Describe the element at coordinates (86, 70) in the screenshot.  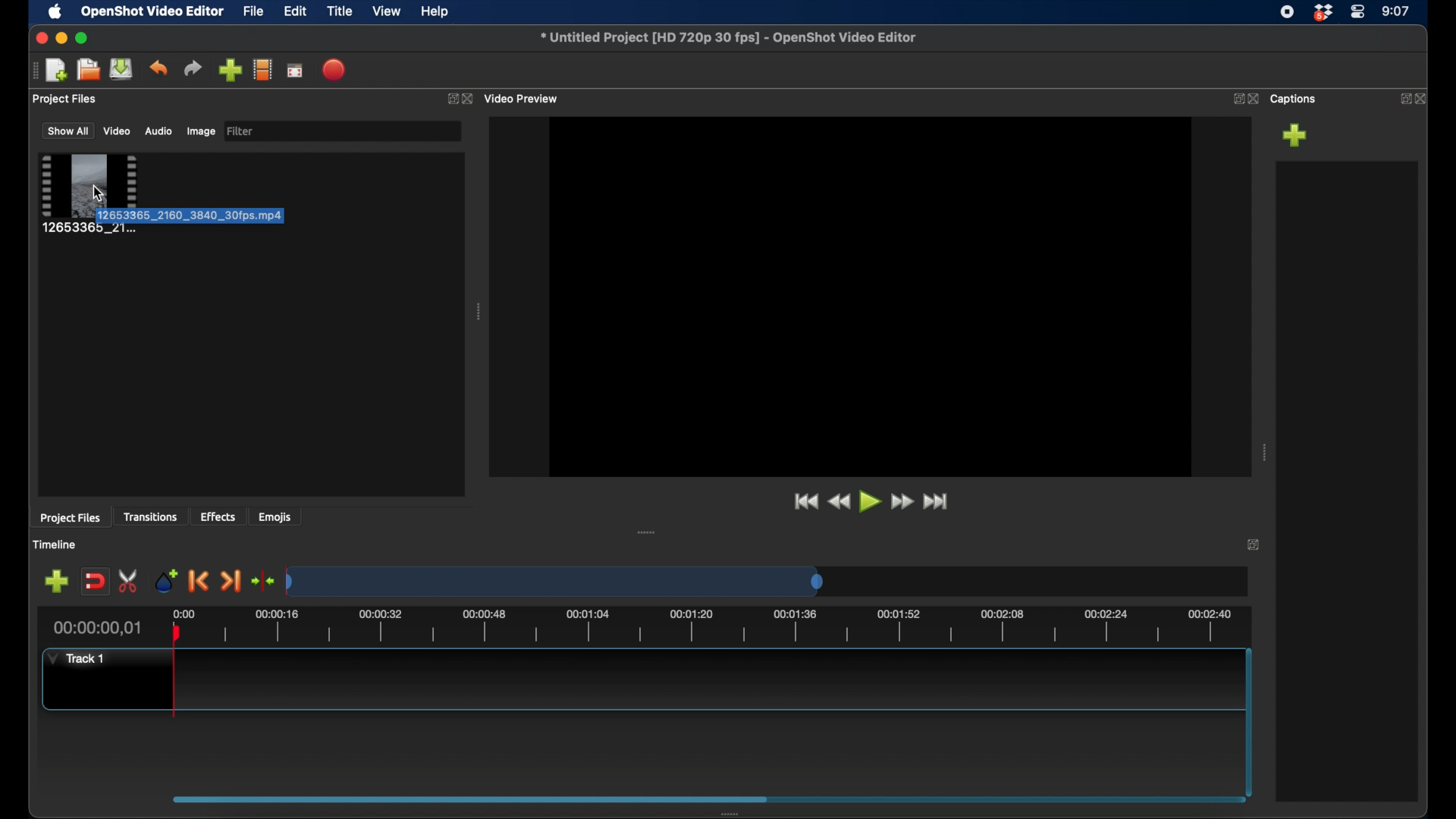
I see `open project` at that location.